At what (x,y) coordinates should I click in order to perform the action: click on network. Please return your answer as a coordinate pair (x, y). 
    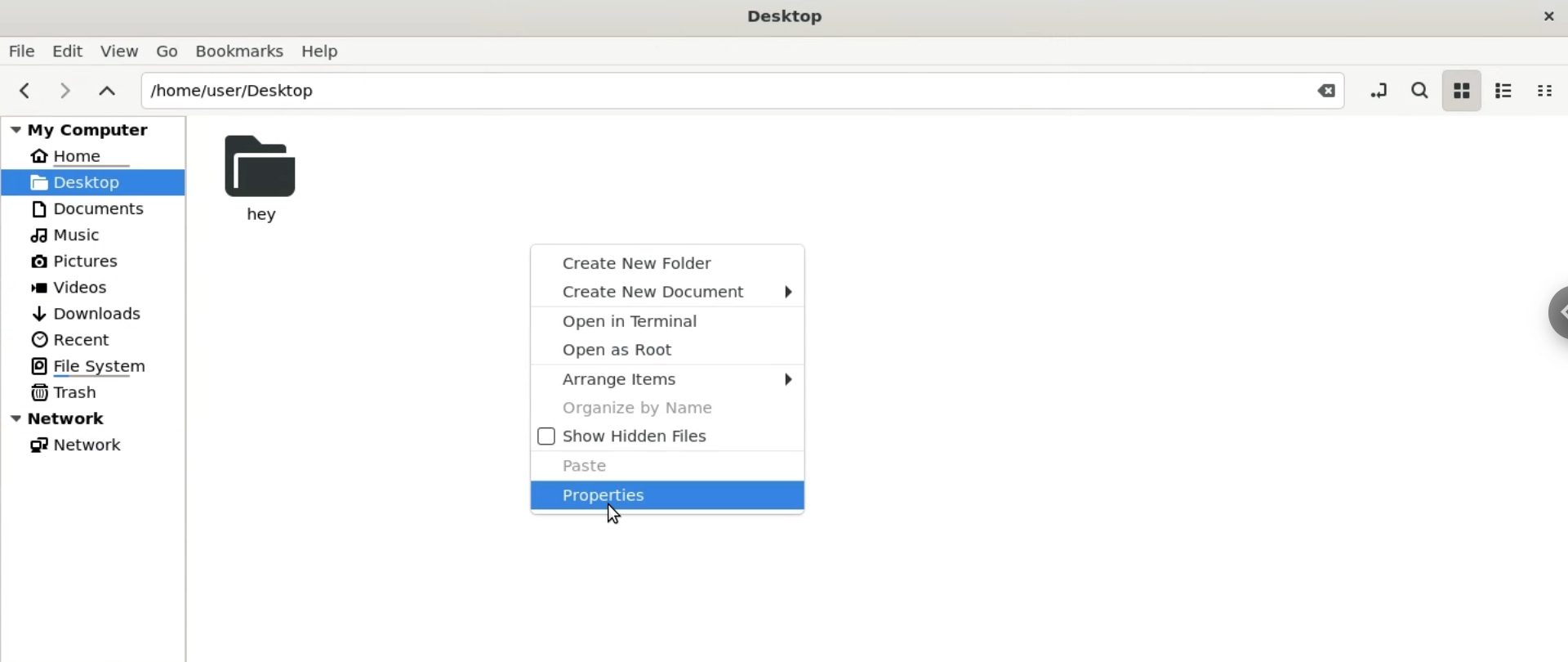
    Looking at the image, I should click on (96, 418).